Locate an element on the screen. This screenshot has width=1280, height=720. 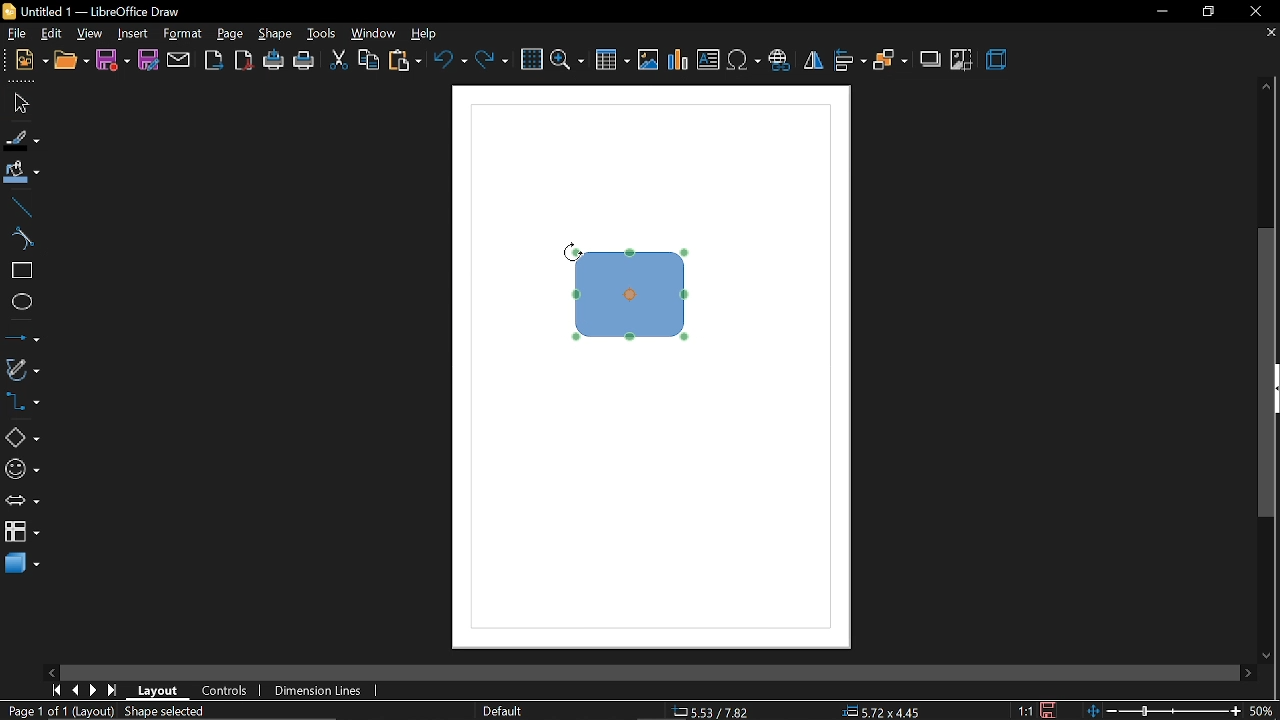
export is located at coordinates (213, 60).